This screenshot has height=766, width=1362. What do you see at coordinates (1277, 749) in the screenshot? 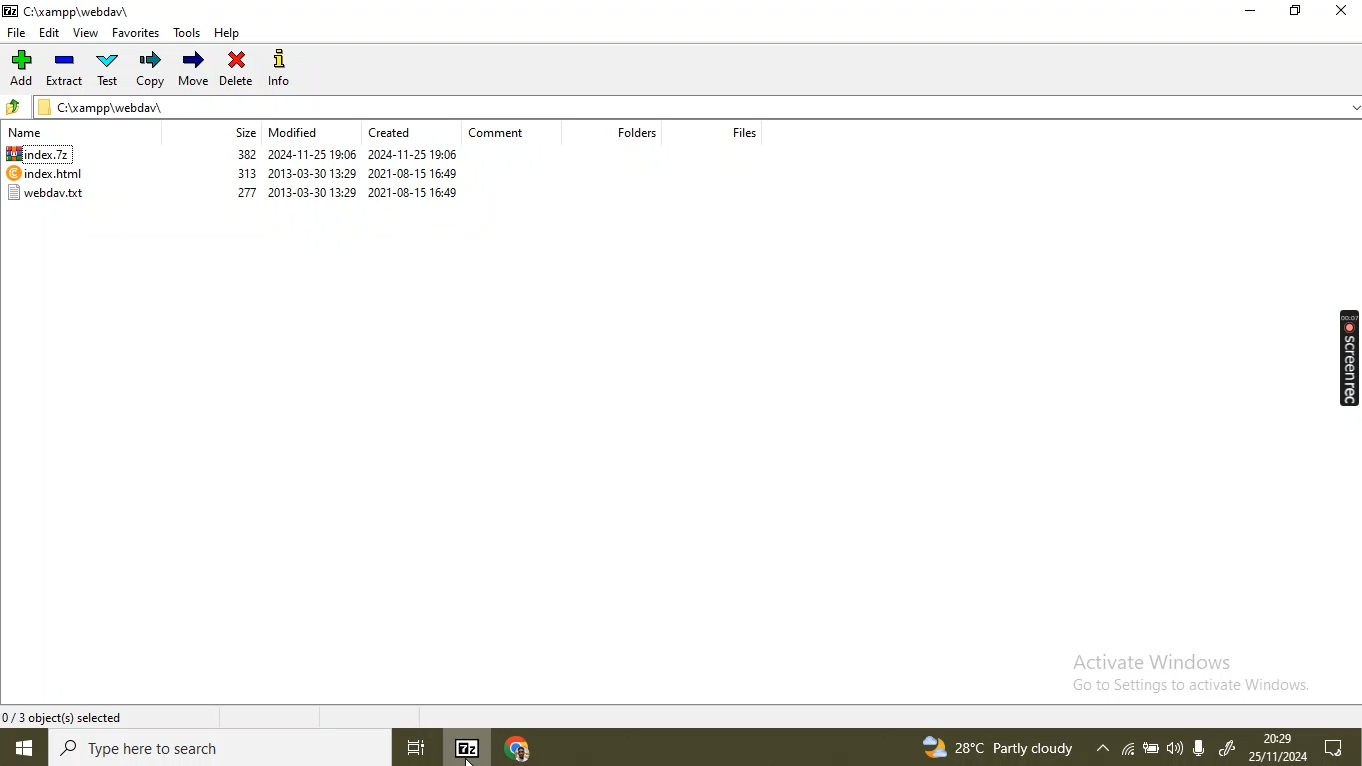
I see `20.29  25/11/2024` at bounding box center [1277, 749].